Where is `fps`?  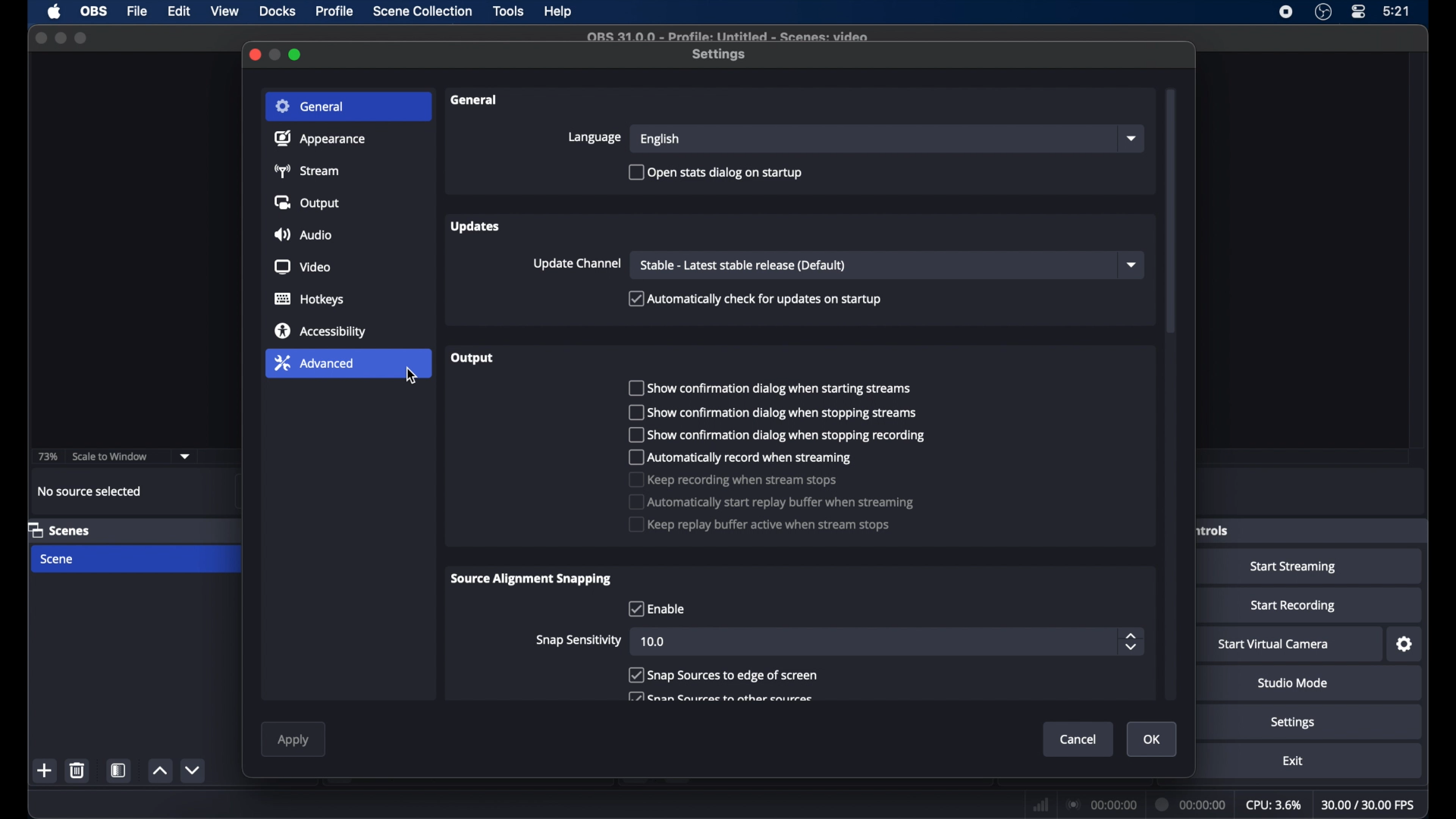 fps is located at coordinates (1368, 805).